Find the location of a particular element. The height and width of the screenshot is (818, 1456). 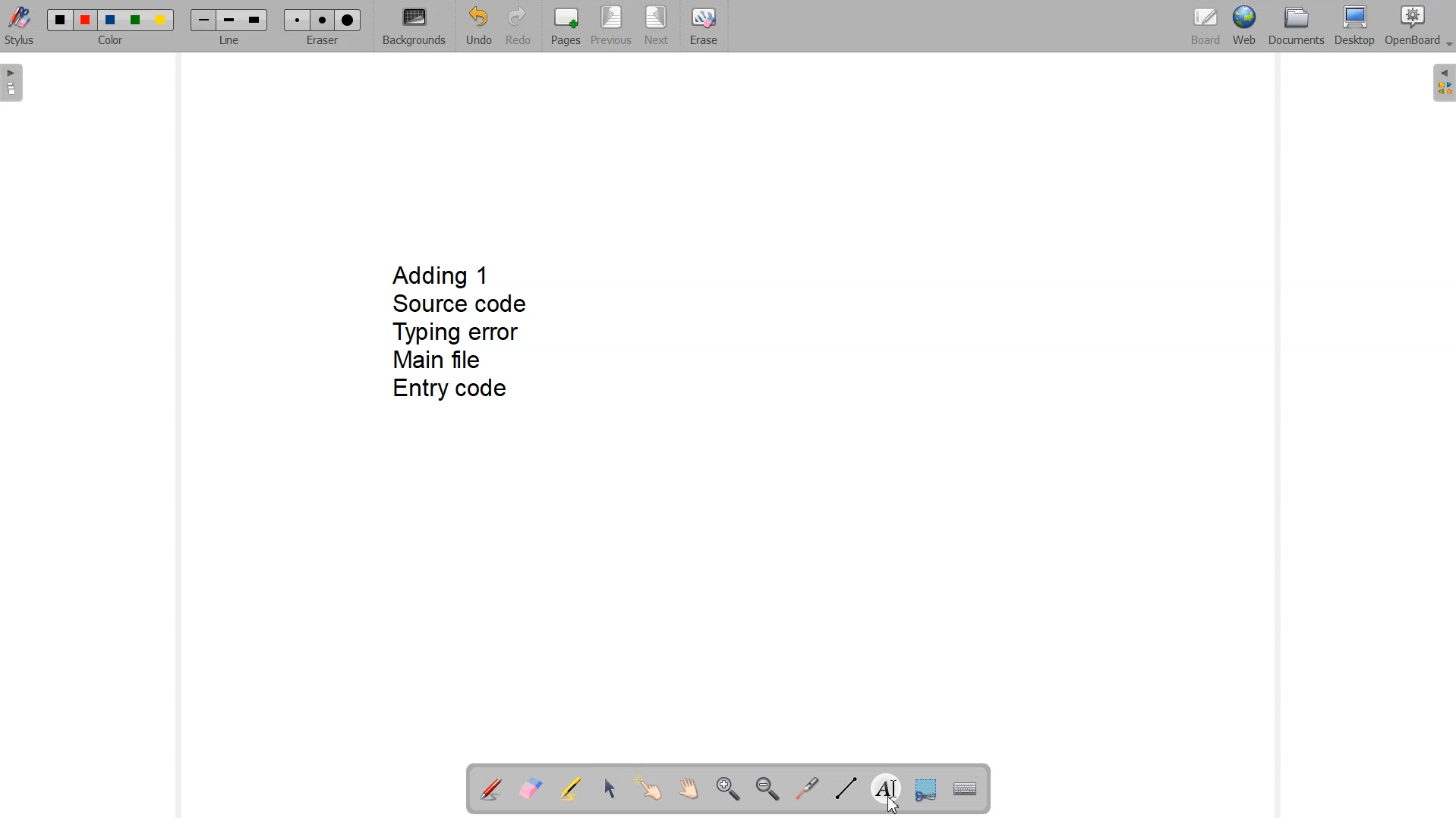

Erase annotation is located at coordinates (531, 788).